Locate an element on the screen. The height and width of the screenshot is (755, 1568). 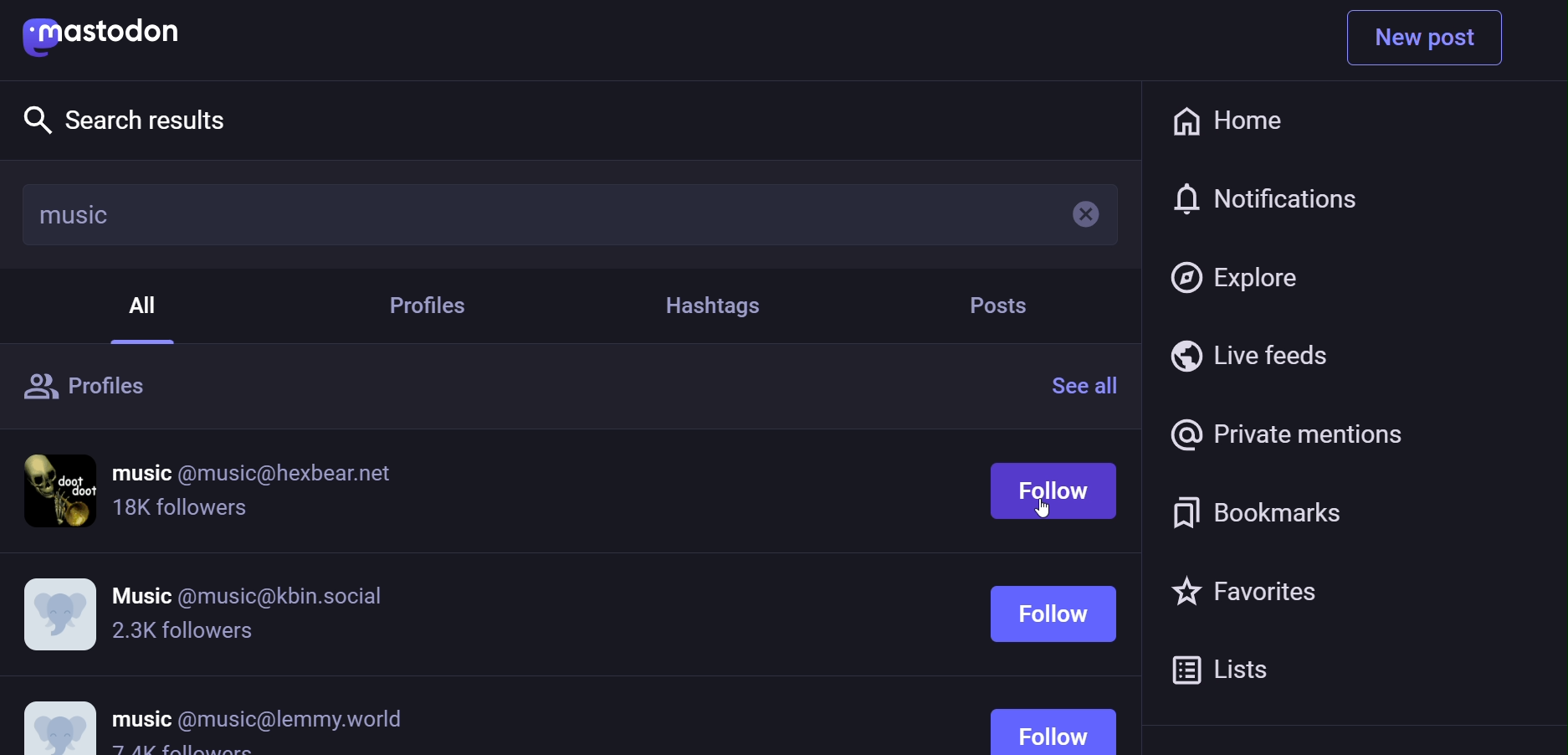
name is located at coordinates (251, 591).